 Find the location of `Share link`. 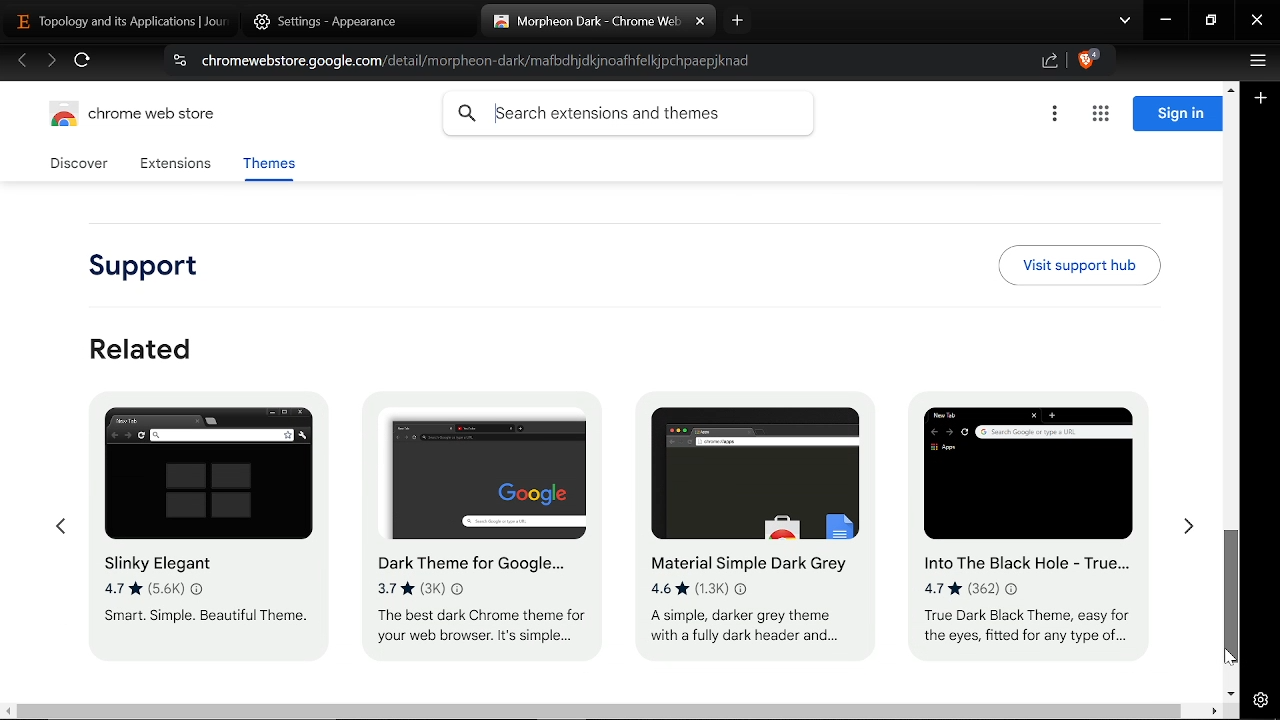

Share link is located at coordinates (1050, 62).